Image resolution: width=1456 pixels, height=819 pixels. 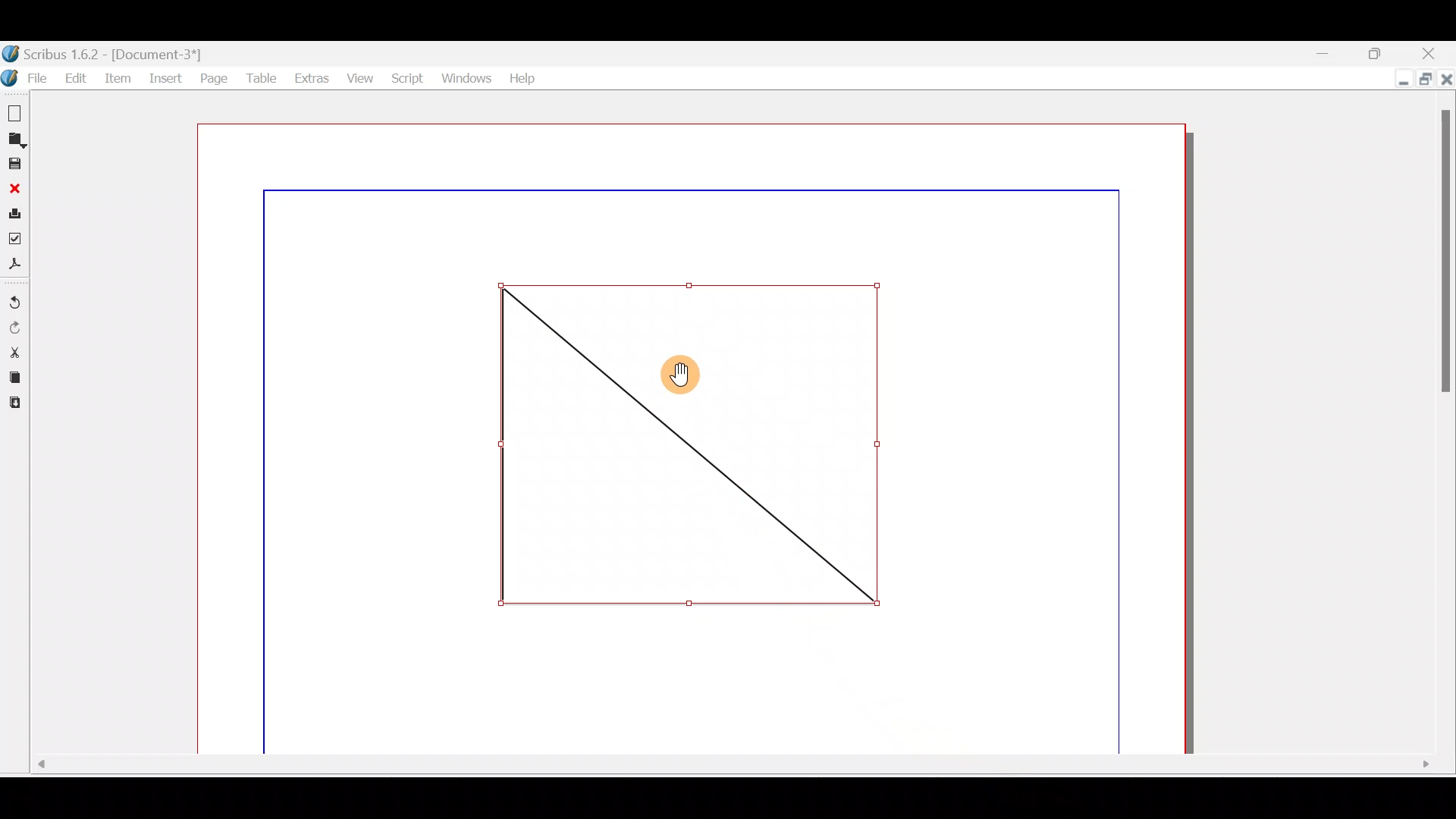 I want to click on Windows, so click(x=464, y=75).